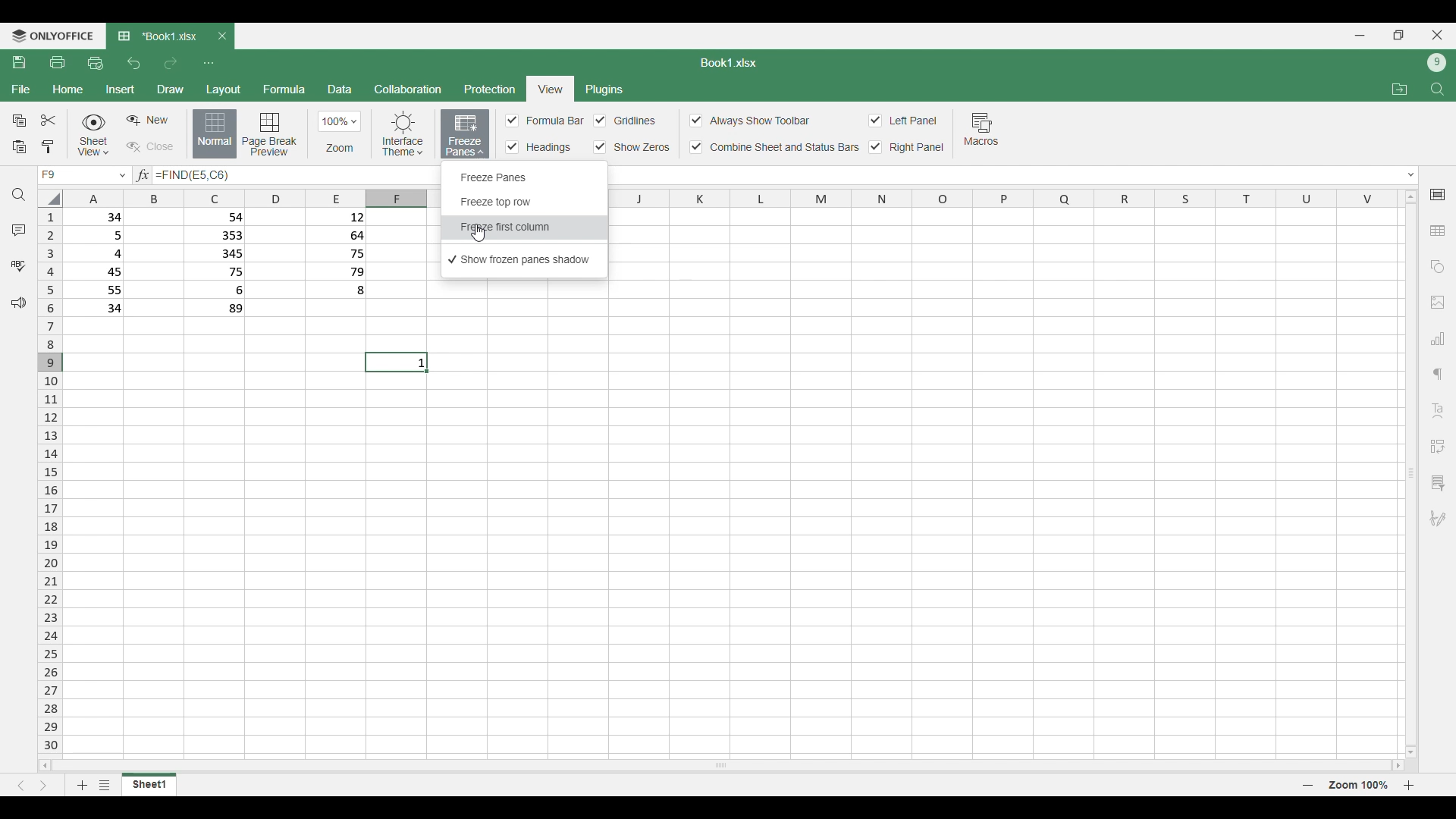  I want to click on move right, so click(1394, 765).